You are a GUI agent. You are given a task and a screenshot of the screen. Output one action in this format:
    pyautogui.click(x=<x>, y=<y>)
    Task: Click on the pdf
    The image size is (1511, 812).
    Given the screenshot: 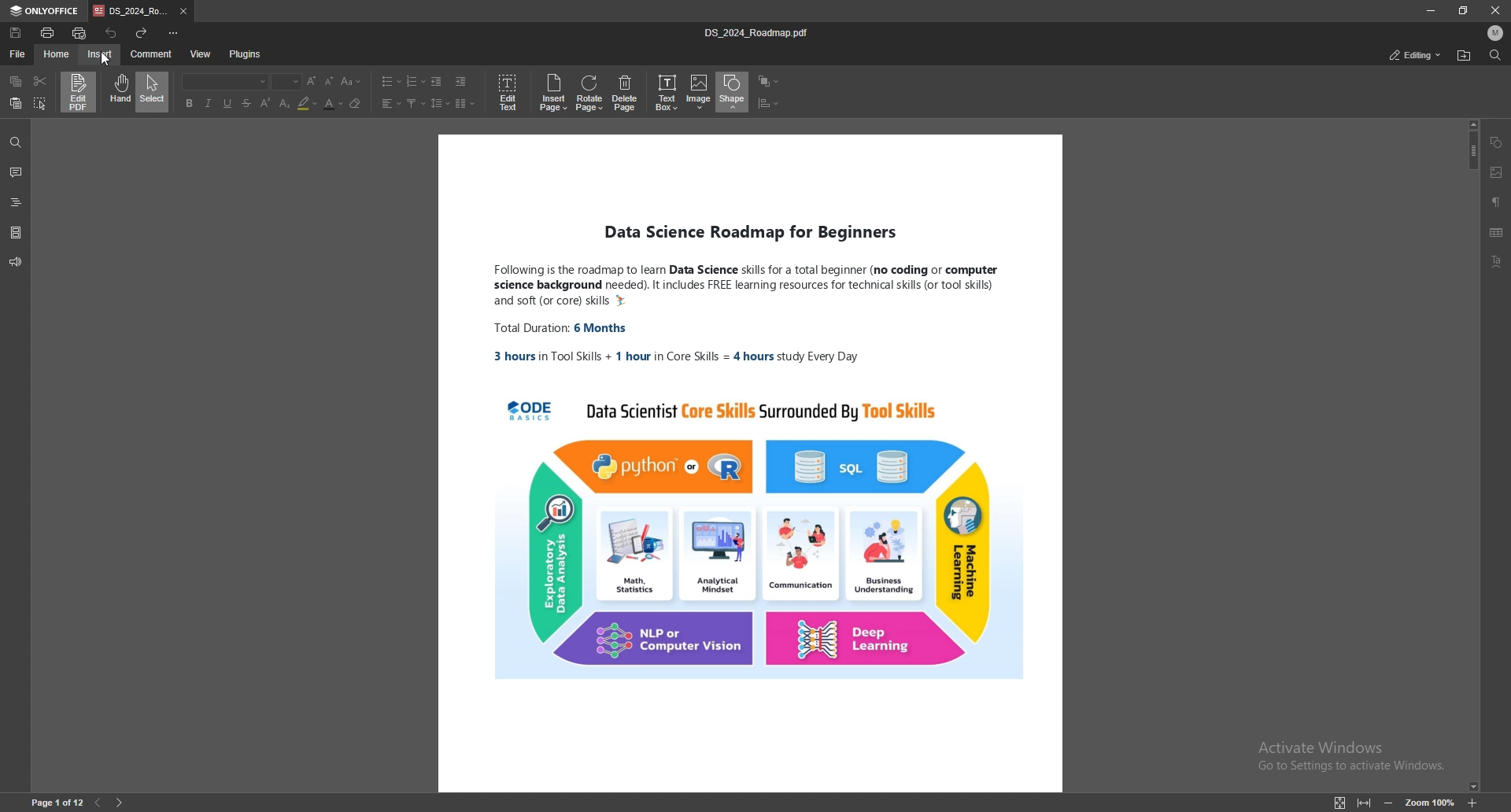 What is the action you would take?
    pyautogui.click(x=748, y=466)
    